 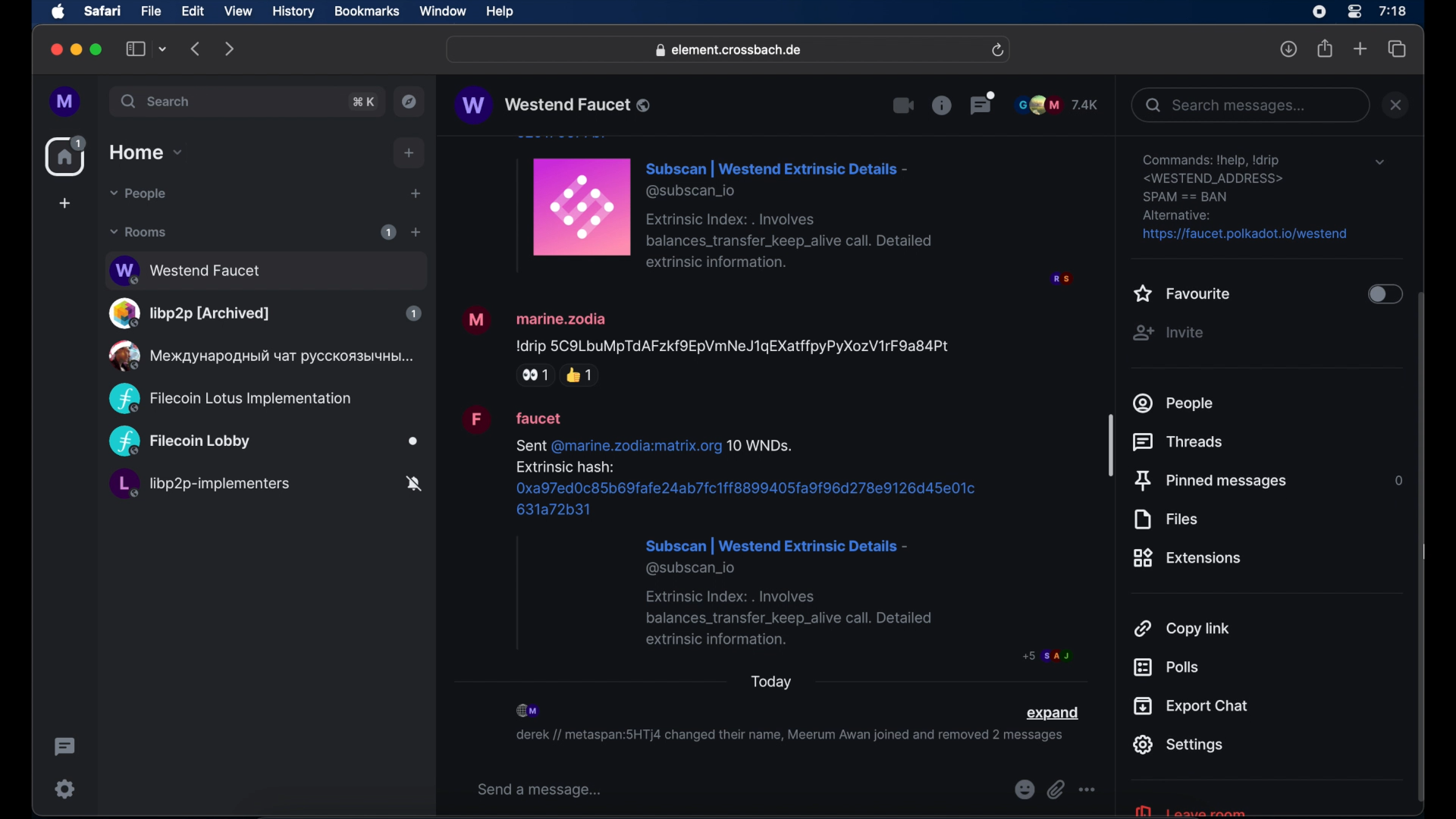 I want to click on maximize, so click(x=98, y=49).